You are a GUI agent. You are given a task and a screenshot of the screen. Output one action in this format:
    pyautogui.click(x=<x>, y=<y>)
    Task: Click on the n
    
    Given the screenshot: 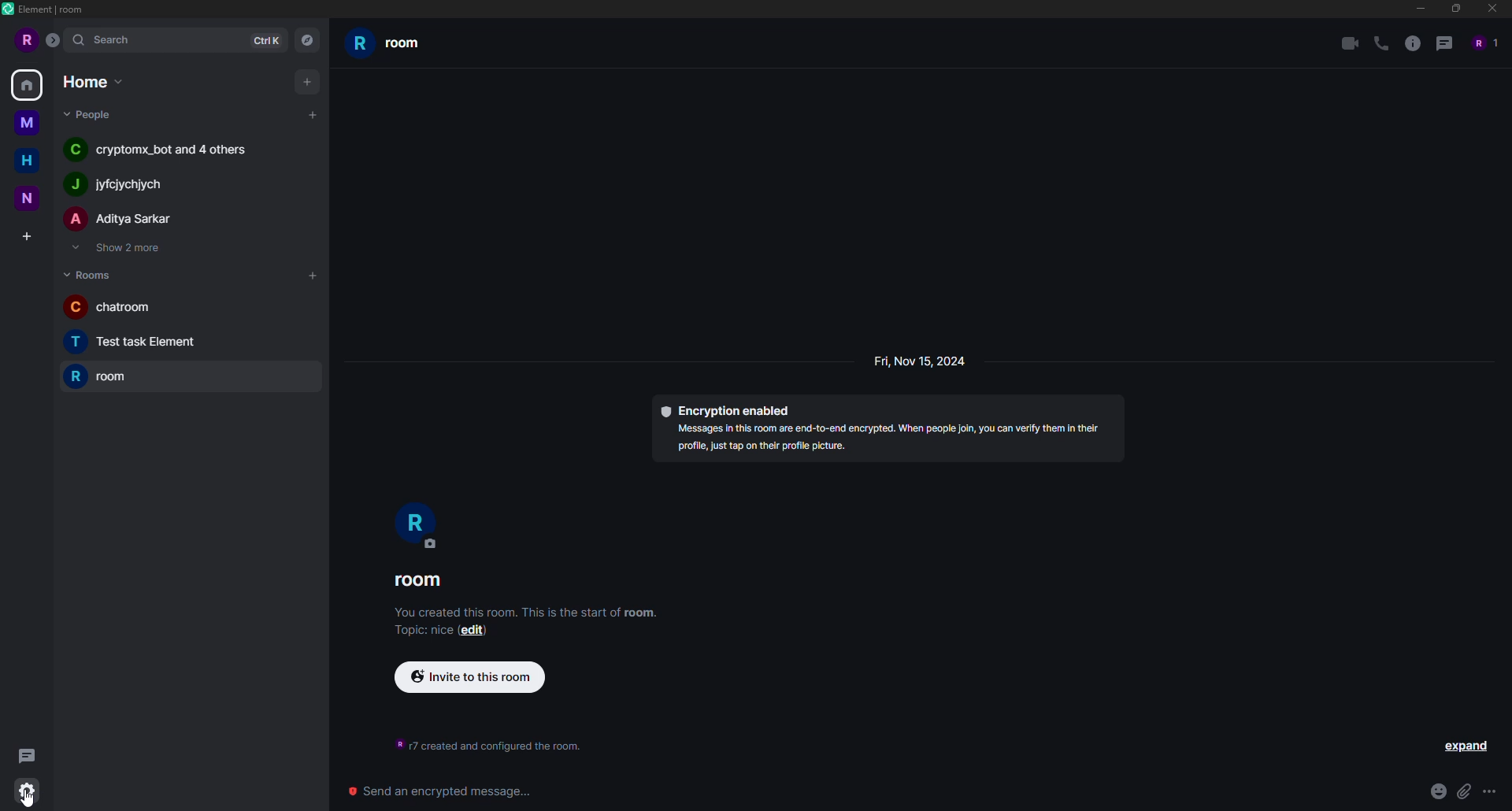 What is the action you would take?
    pyautogui.click(x=26, y=198)
    